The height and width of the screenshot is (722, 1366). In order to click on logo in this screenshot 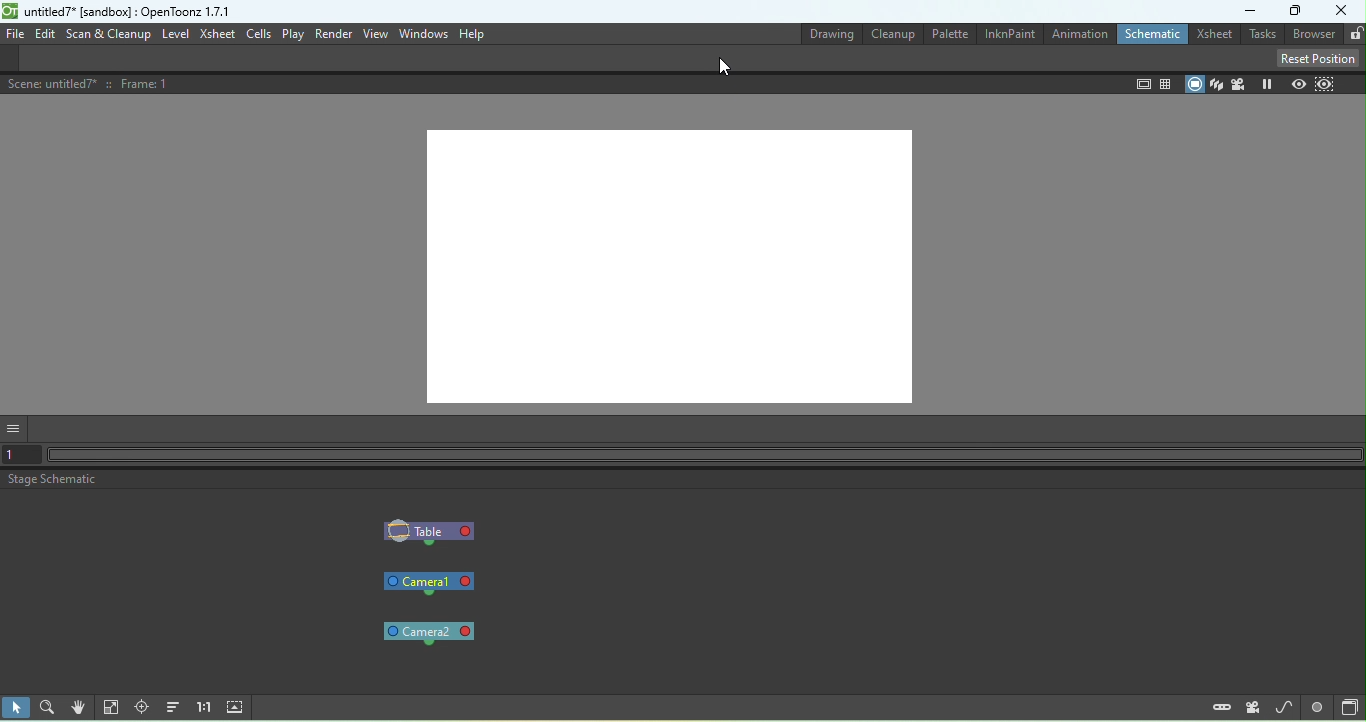, I will do `click(9, 11)`.